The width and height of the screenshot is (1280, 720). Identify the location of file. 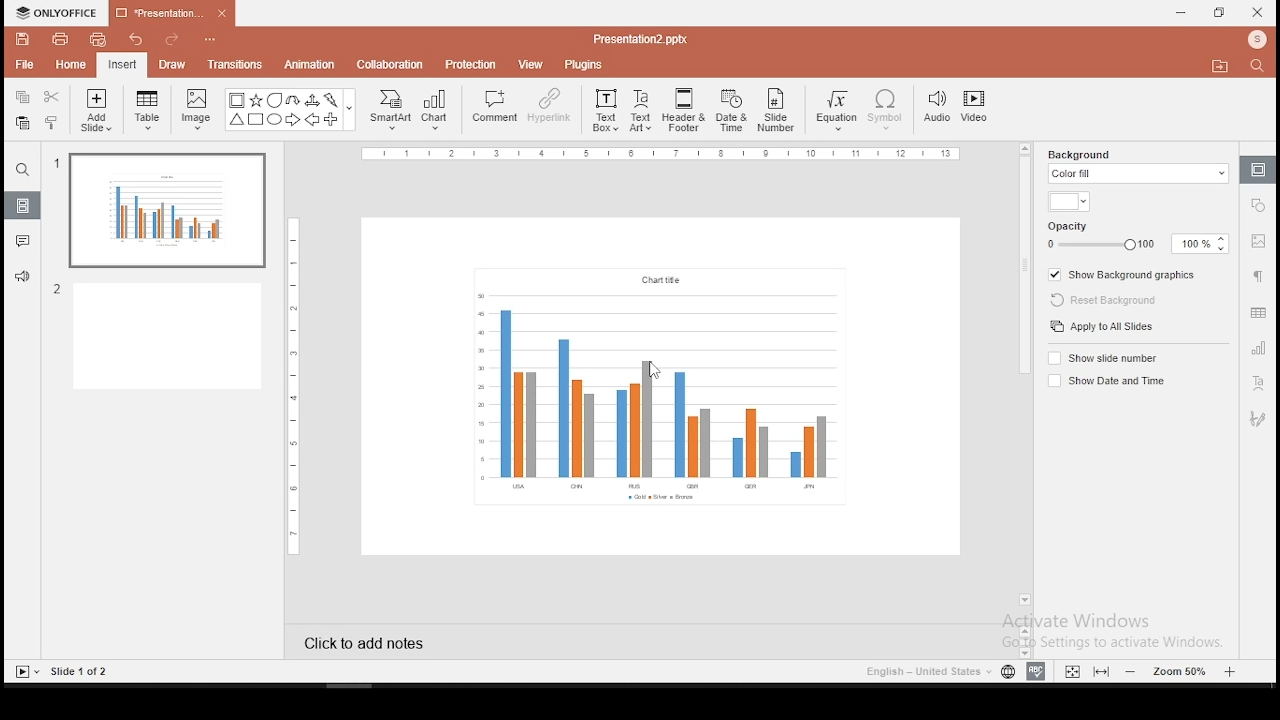
(23, 63).